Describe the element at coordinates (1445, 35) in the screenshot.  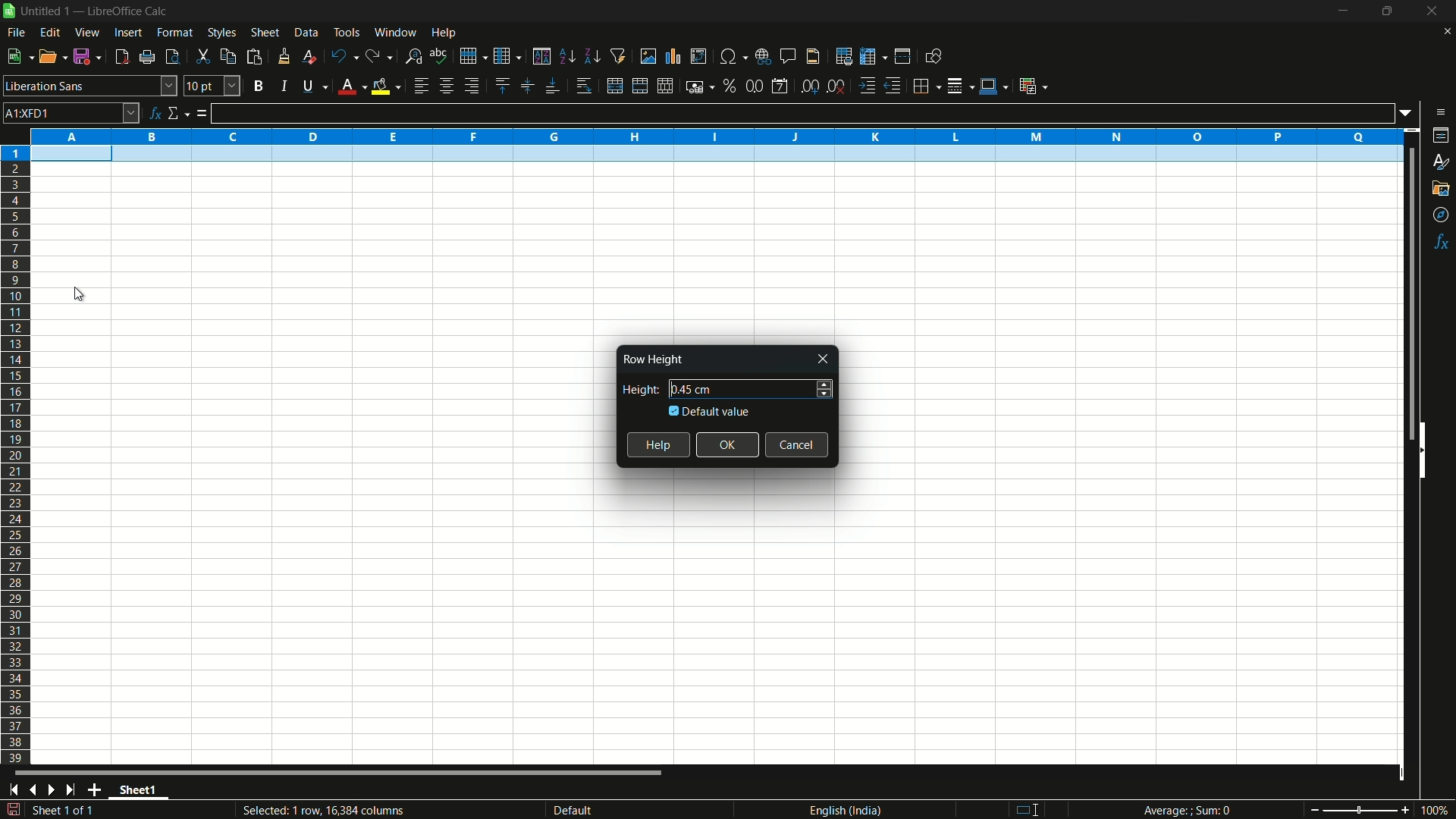
I see `close current sheet` at that location.